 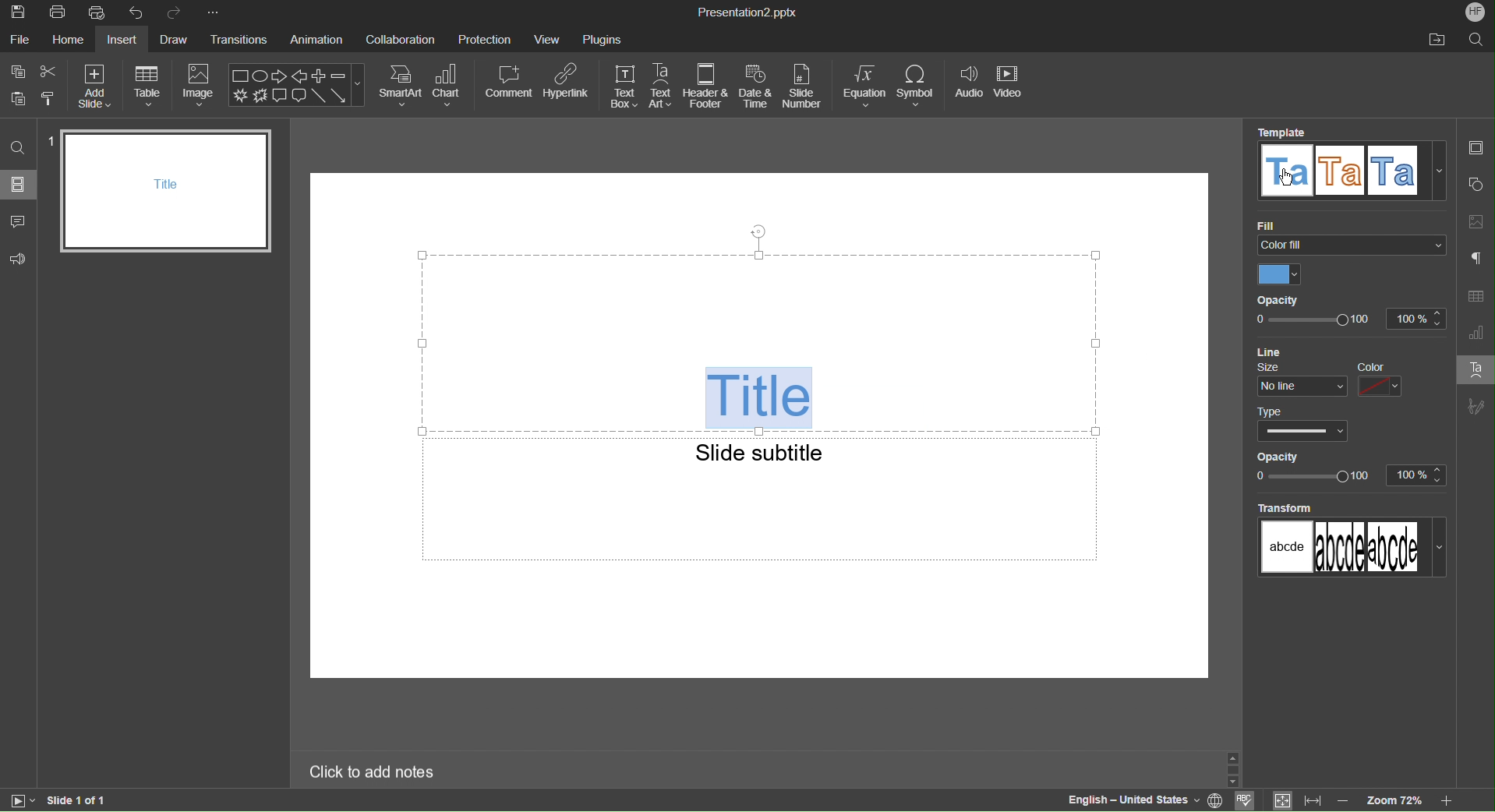 I want to click on Image Settings, so click(x=1476, y=223).